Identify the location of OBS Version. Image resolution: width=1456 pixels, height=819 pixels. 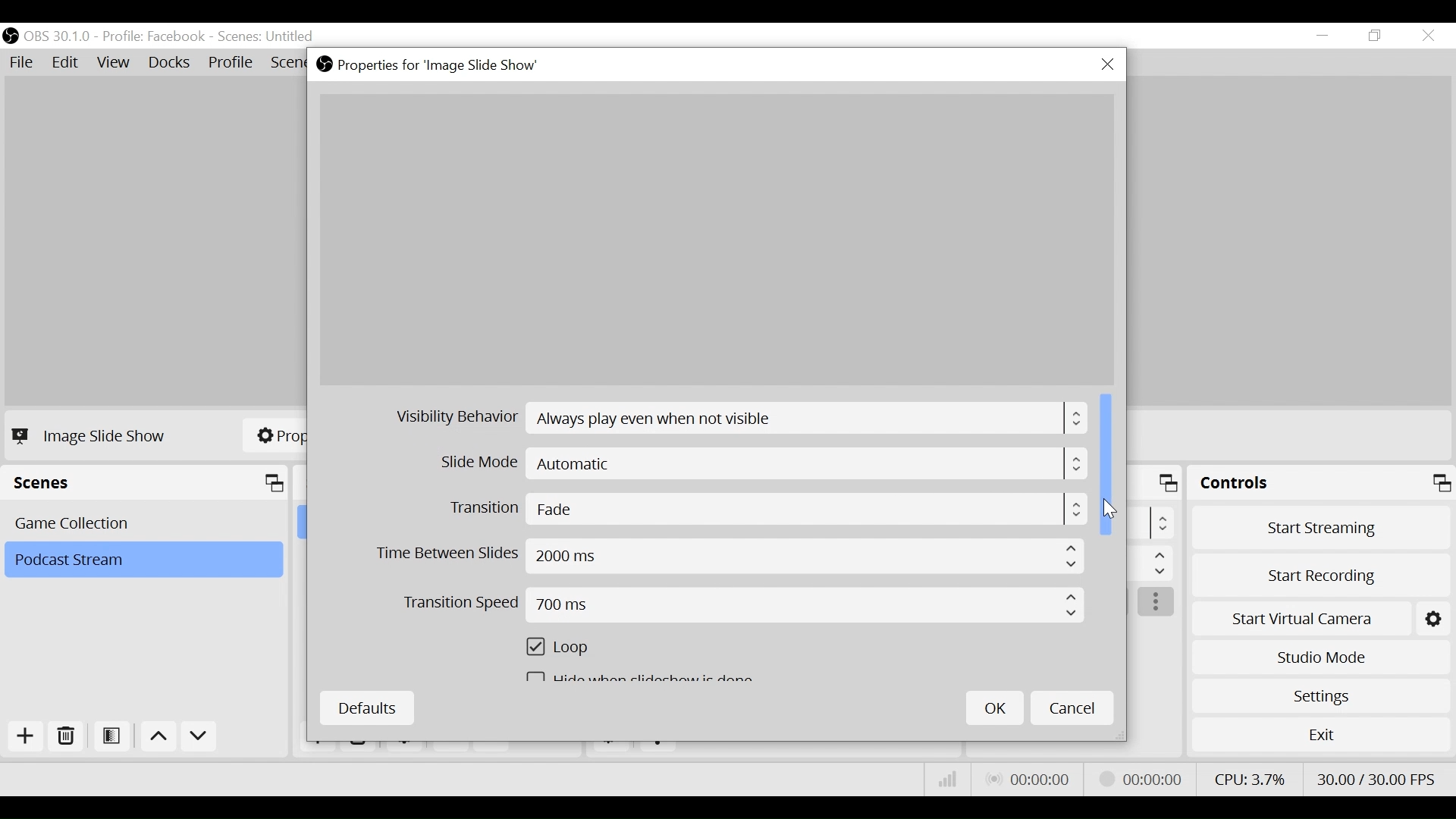
(60, 36).